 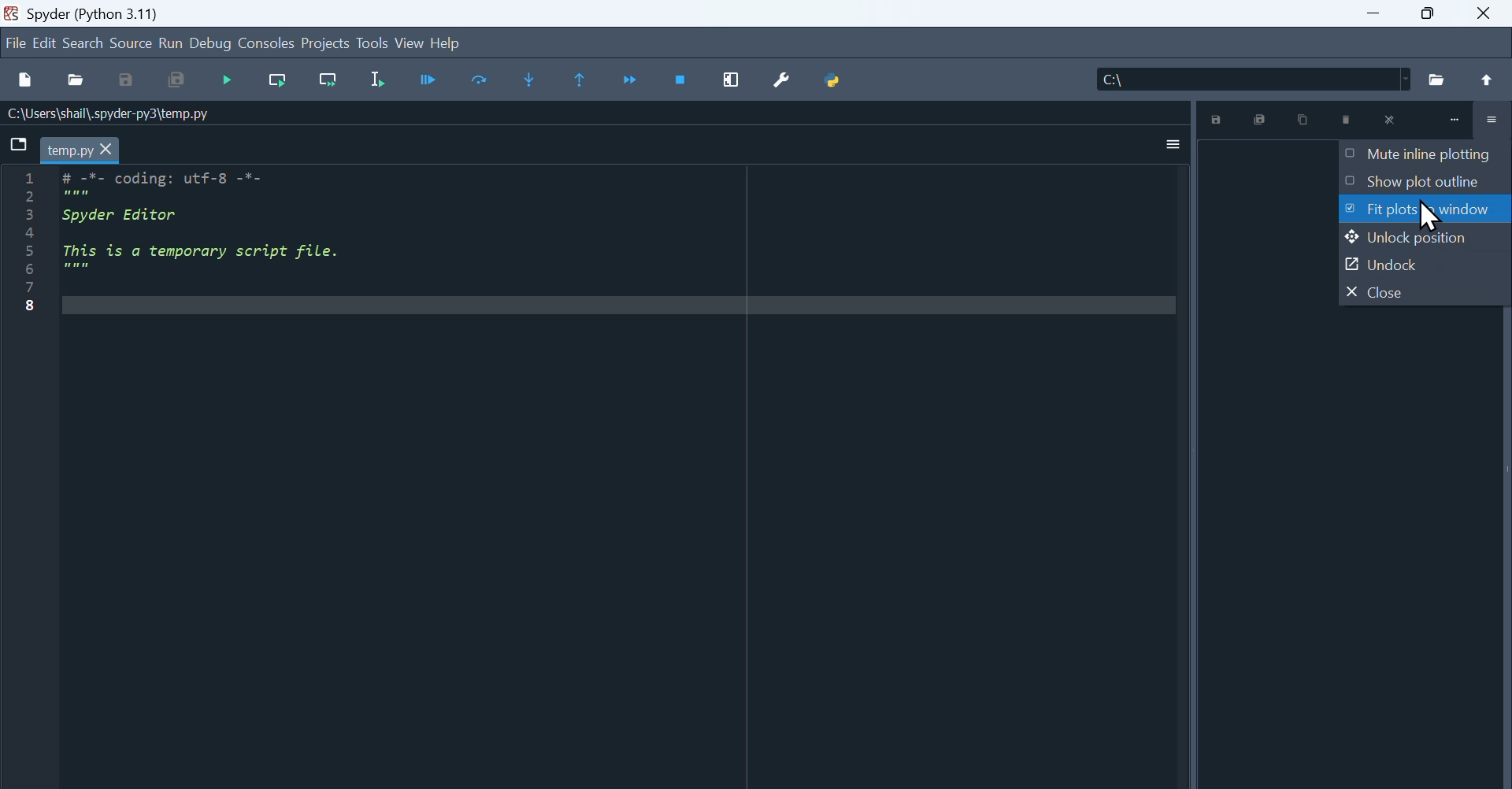 What do you see at coordinates (1487, 11) in the screenshot?
I see `Close` at bounding box center [1487, 11].